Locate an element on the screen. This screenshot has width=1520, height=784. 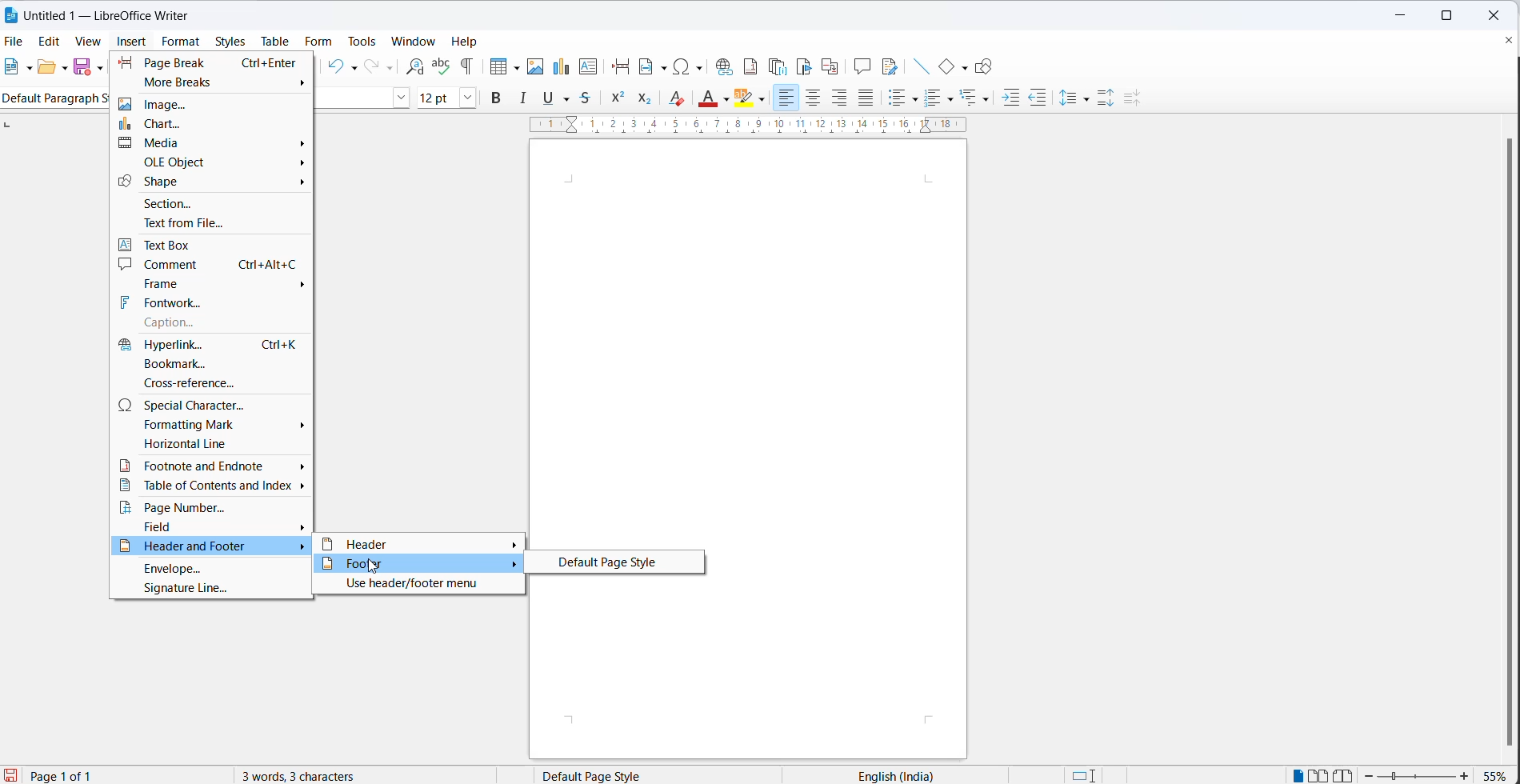
bold is located at coordinates (499, 98).